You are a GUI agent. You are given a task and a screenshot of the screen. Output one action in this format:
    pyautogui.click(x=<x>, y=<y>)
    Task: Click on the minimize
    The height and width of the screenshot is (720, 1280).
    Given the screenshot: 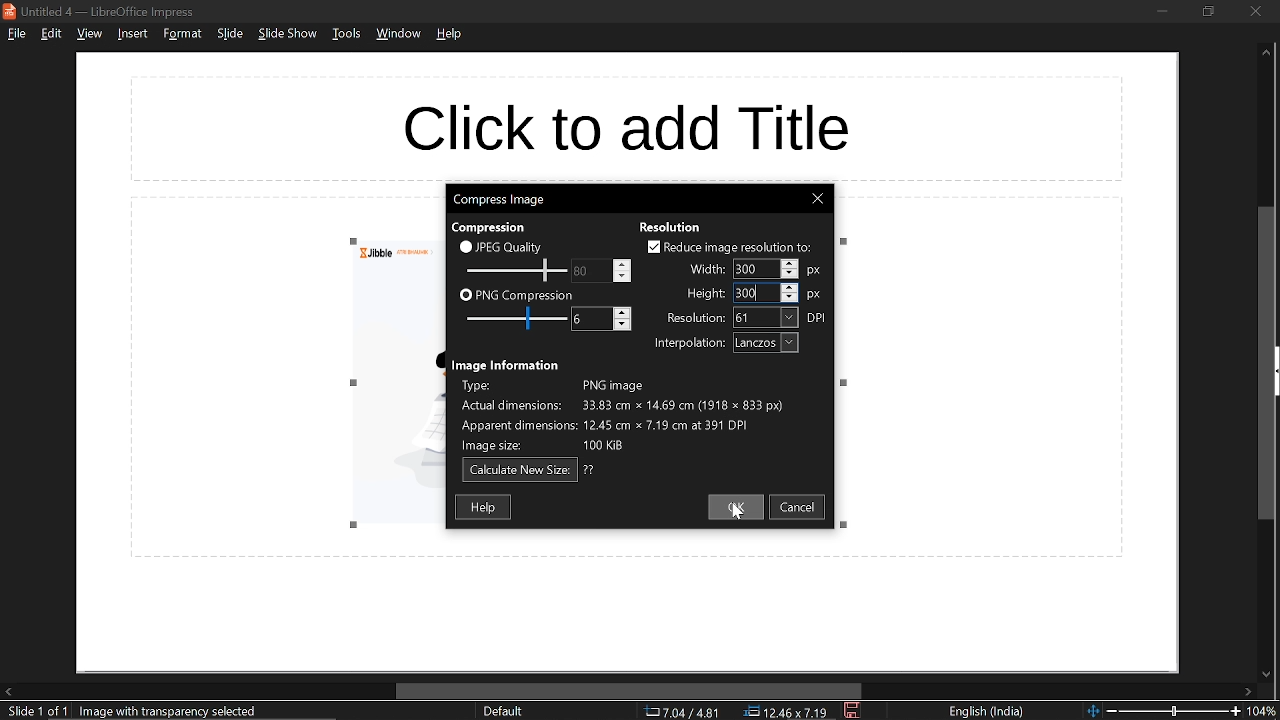 What is the action you would take?
    pyautogui.click(x=1162, y=11)
    